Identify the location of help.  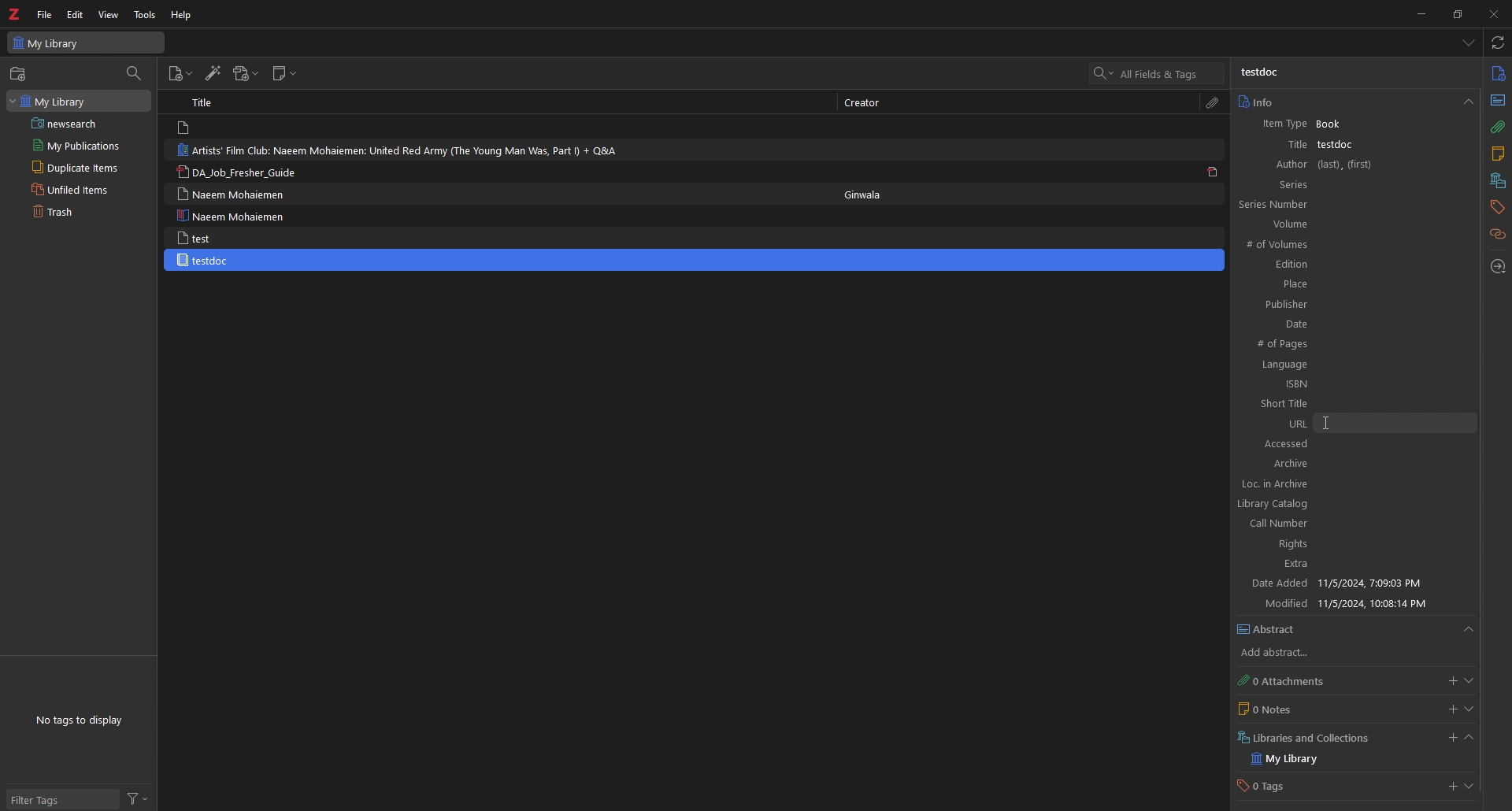
(182, 16).